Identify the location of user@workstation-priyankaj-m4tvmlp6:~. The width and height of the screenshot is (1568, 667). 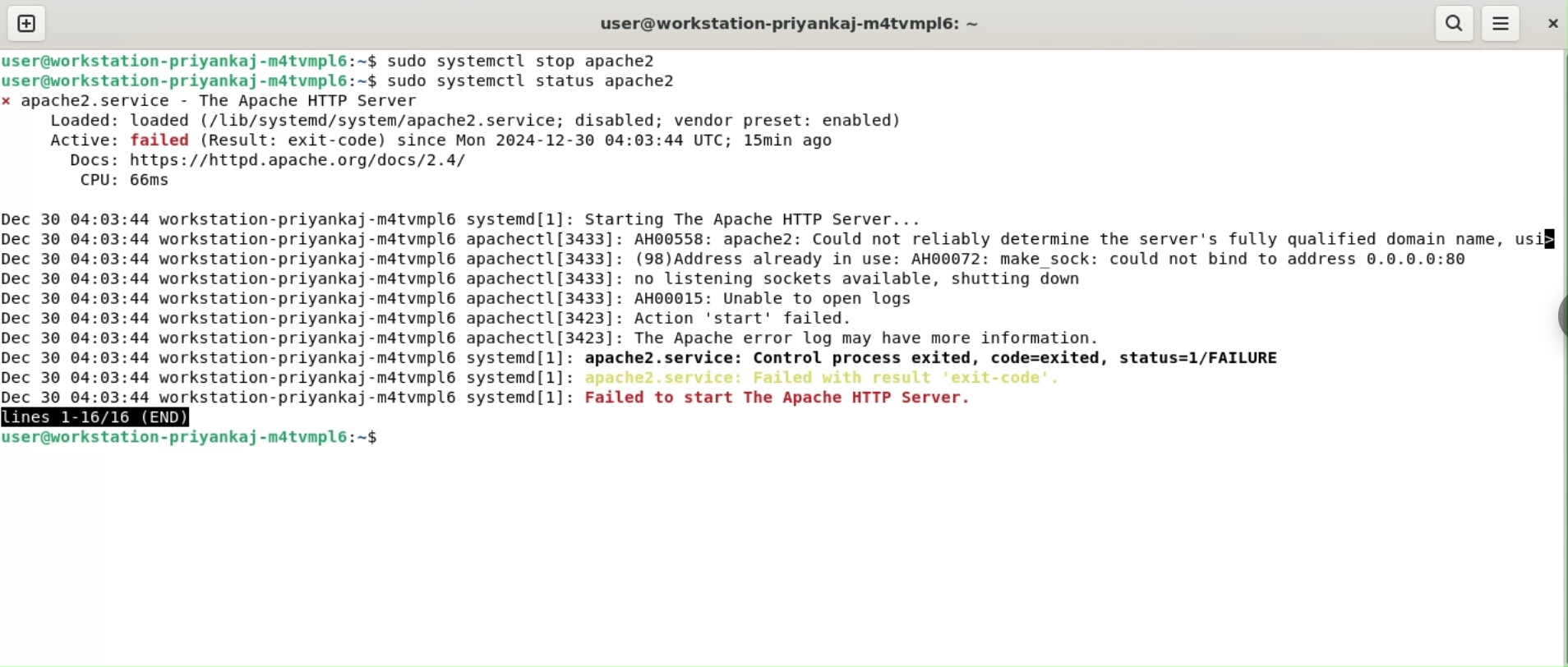
(792, 23).